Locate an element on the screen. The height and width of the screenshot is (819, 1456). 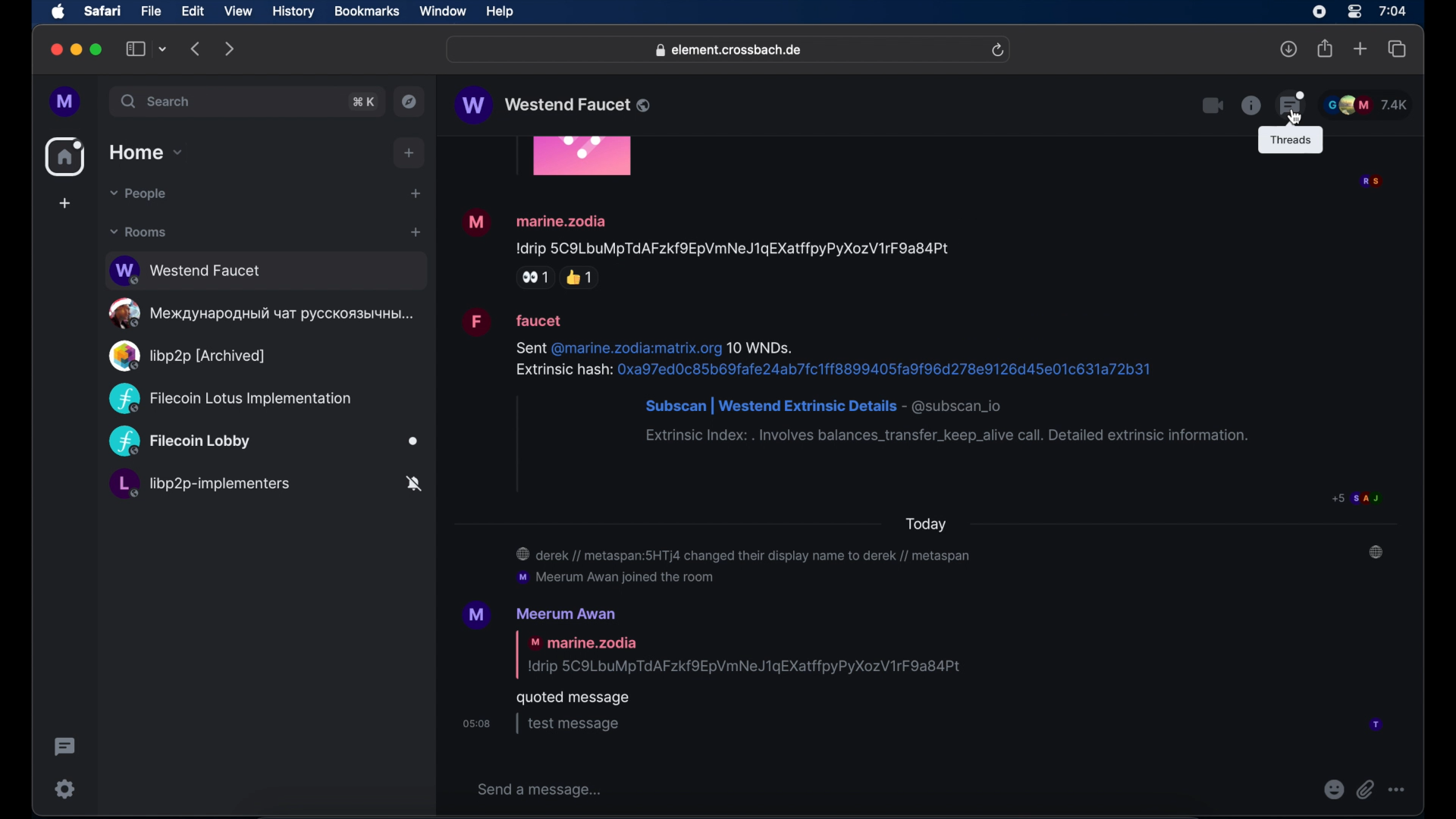
setting is located at coordinates (71, 787).